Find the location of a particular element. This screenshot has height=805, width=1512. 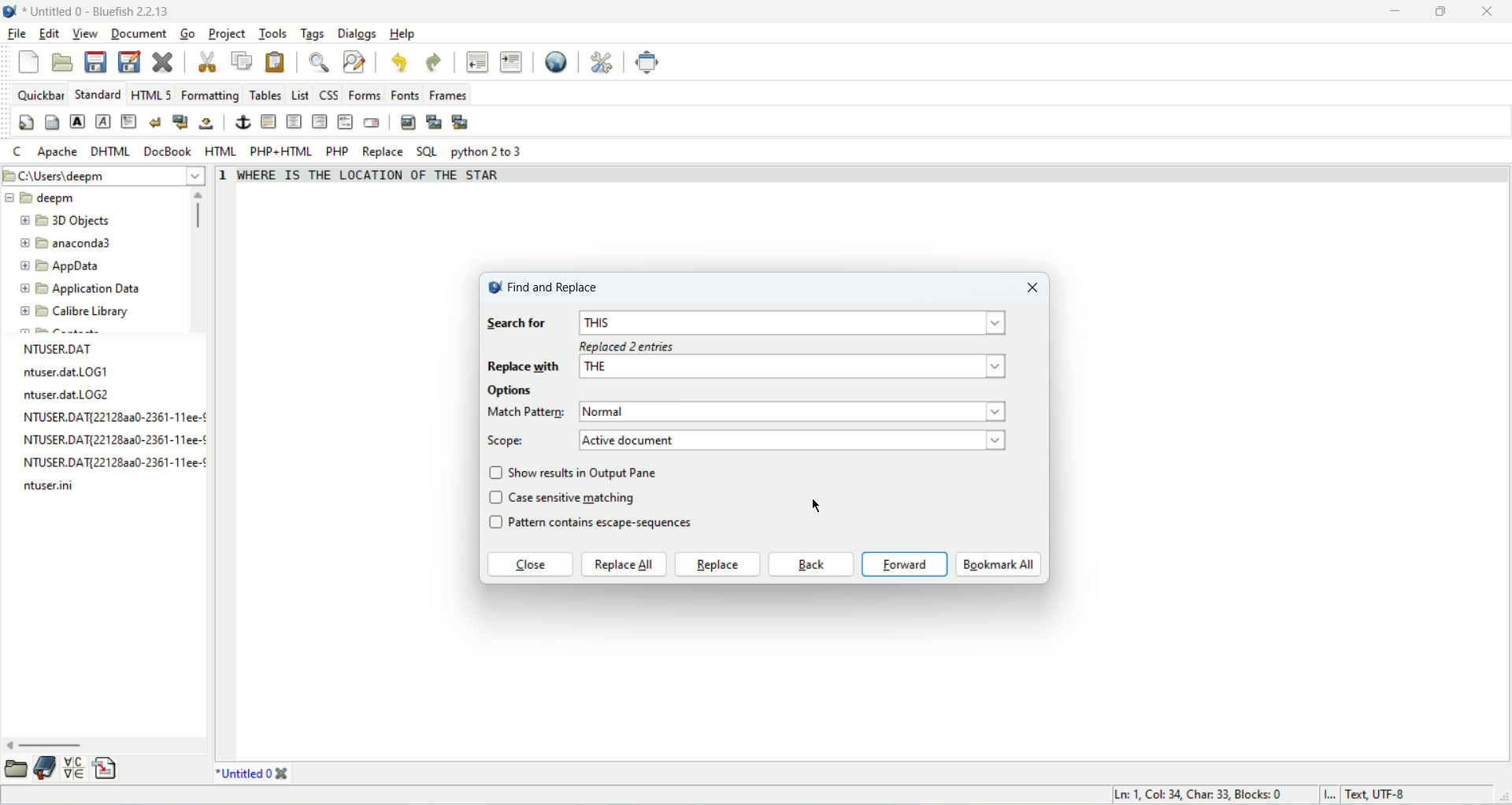

tools is located at coordinates (270, 35).